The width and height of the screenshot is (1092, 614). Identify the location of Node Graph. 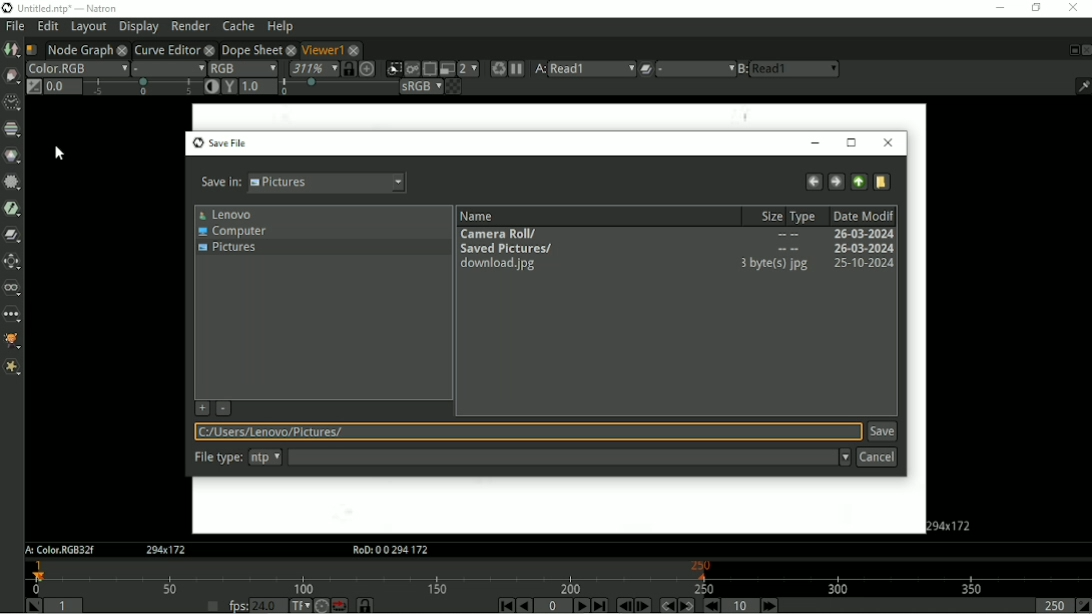
(78, 49).